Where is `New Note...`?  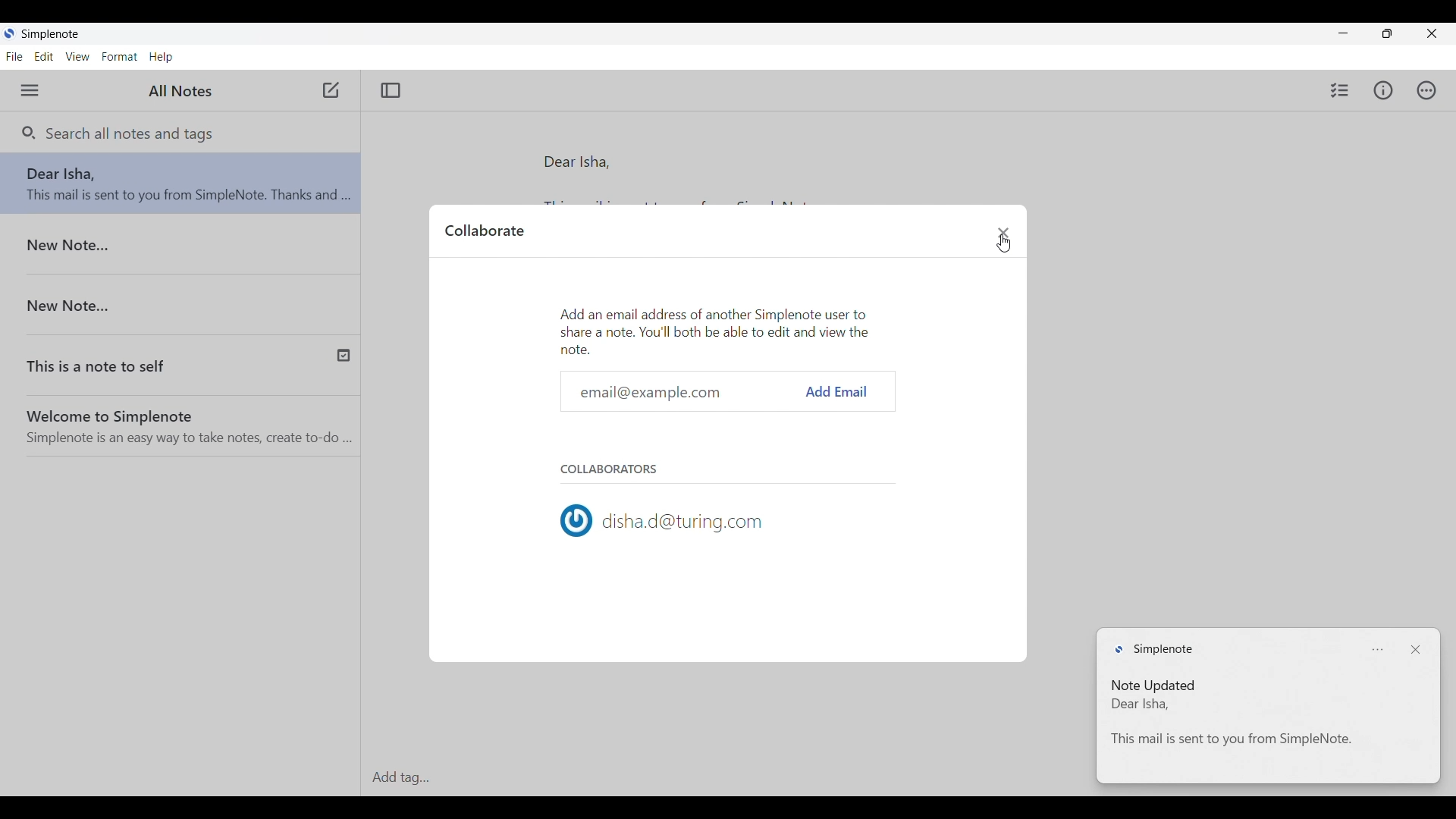
New Note... is located at coordinates (190, 300).